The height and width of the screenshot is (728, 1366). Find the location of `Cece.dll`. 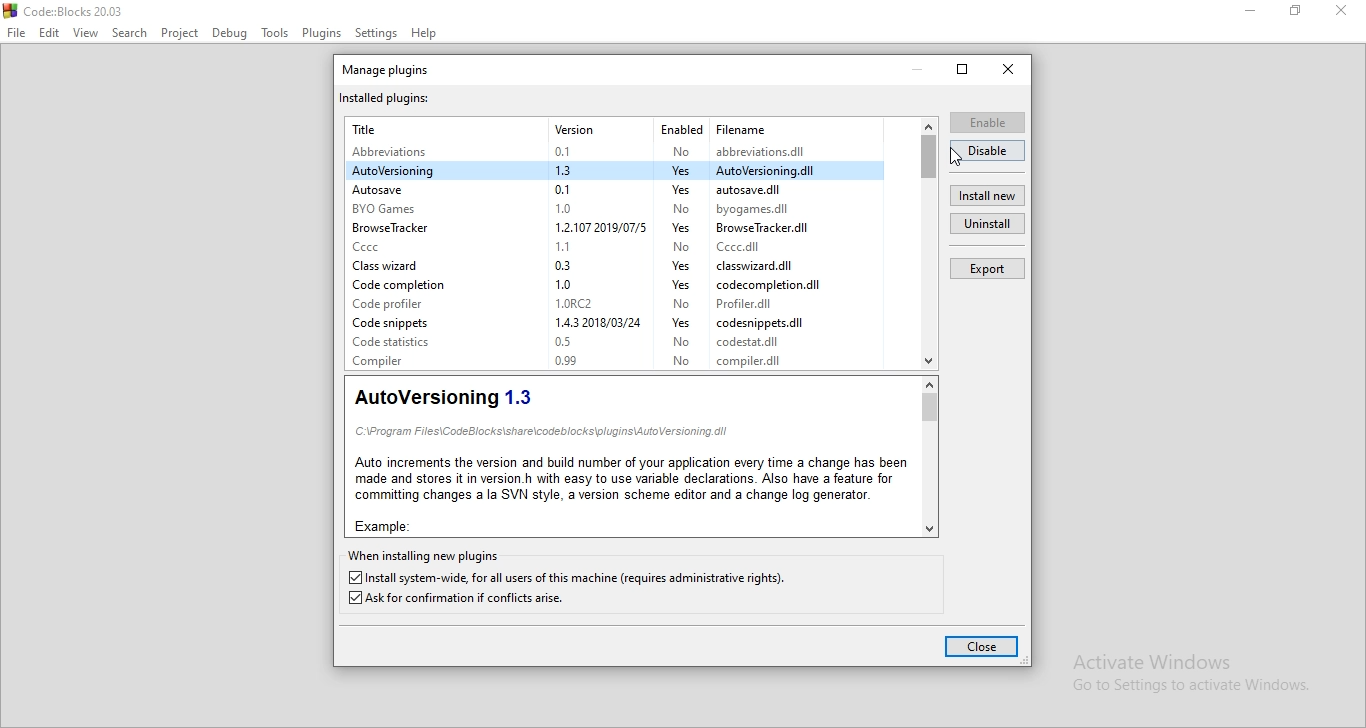

Cece.dll is located at coordinates (749, 247).